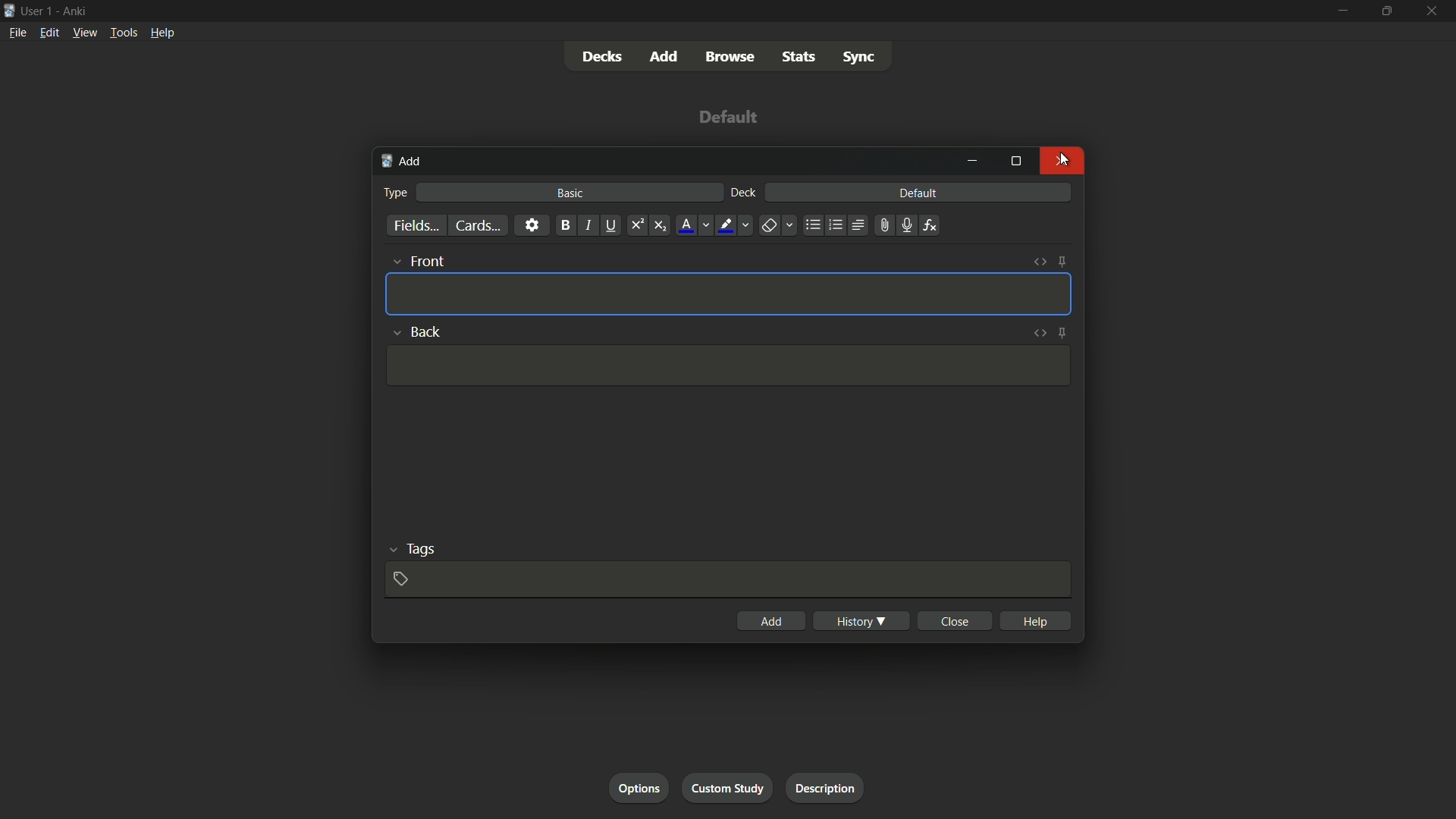 This screenshot has width=1456, height=819. Describe the element at coordinates (9, 11) in the screenshot. I see `app icon` at that location.